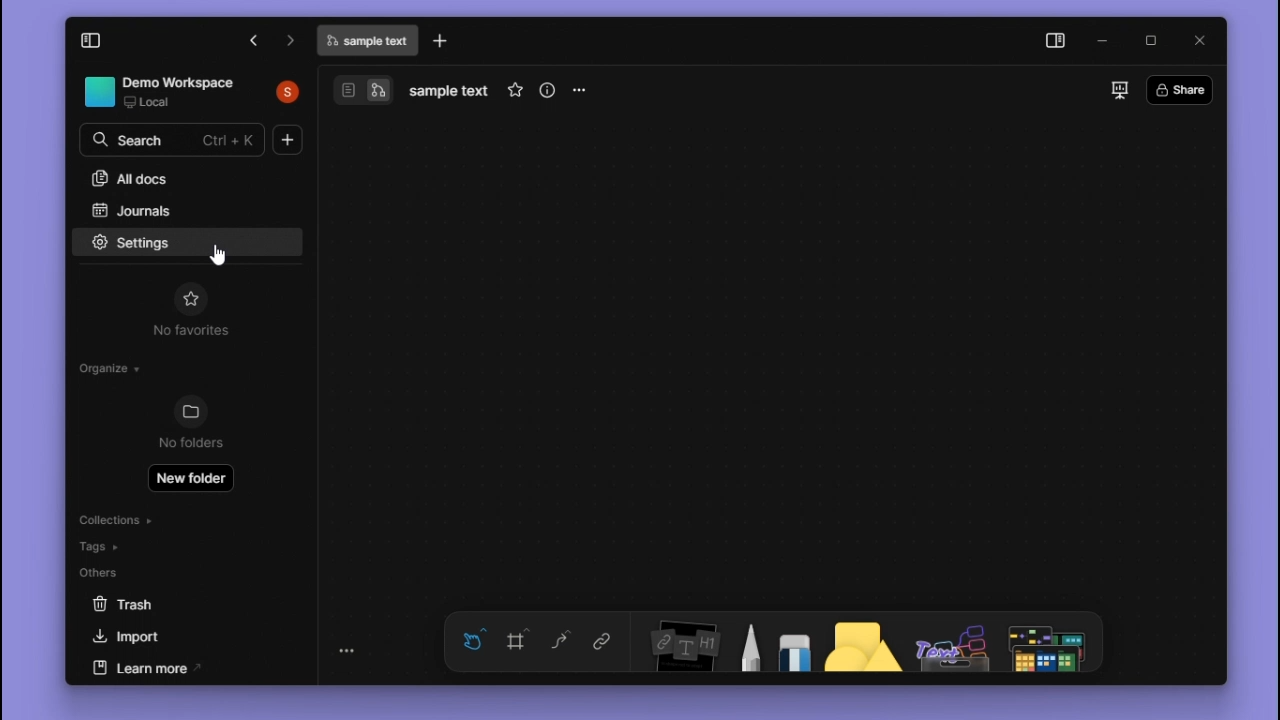  Describe the element at coordinates (1180, 89) in the screenshot. I see `share` at that location.